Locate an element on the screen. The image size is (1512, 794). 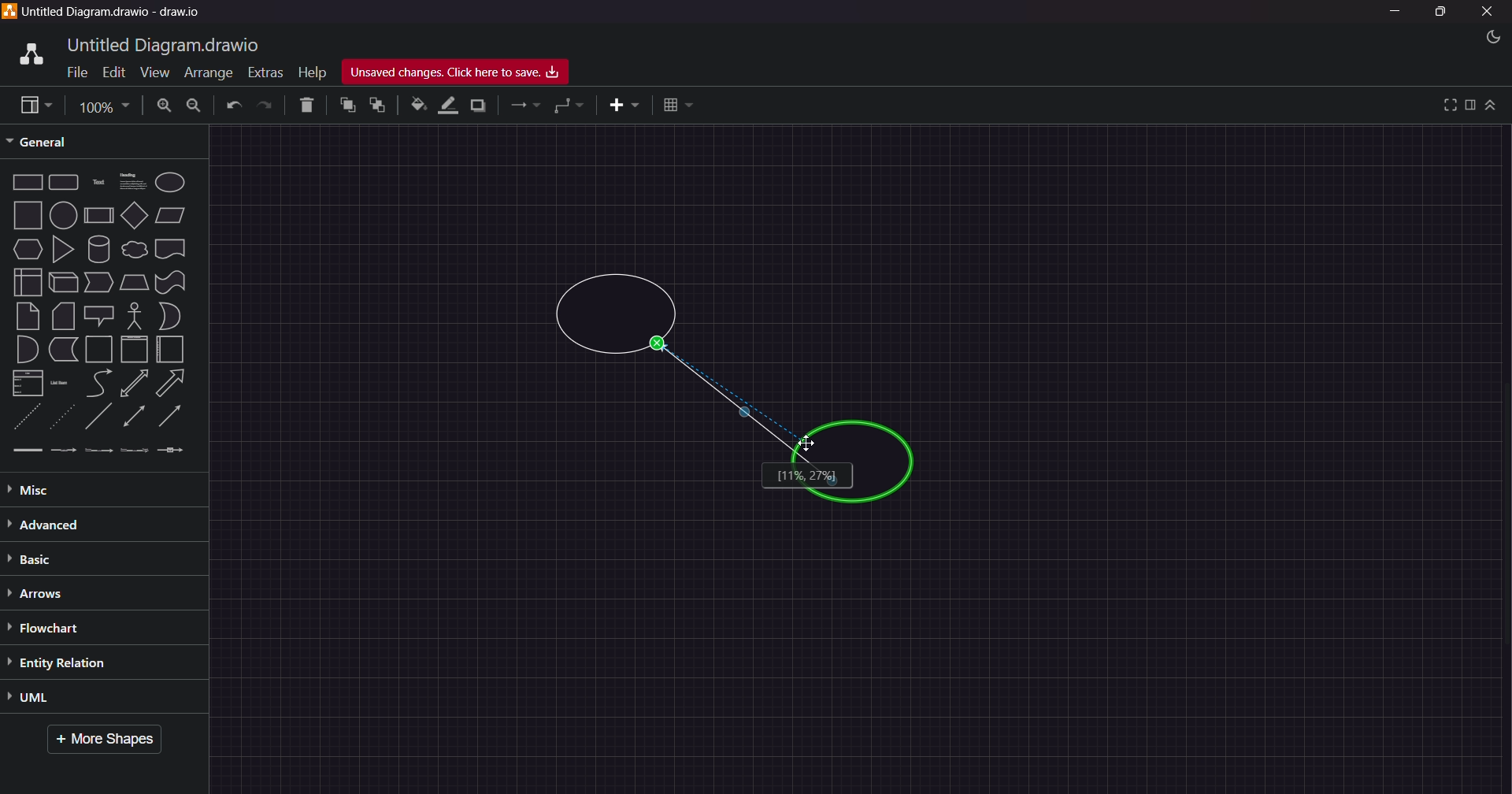
Maximize is located at coordinates (1440, 14).